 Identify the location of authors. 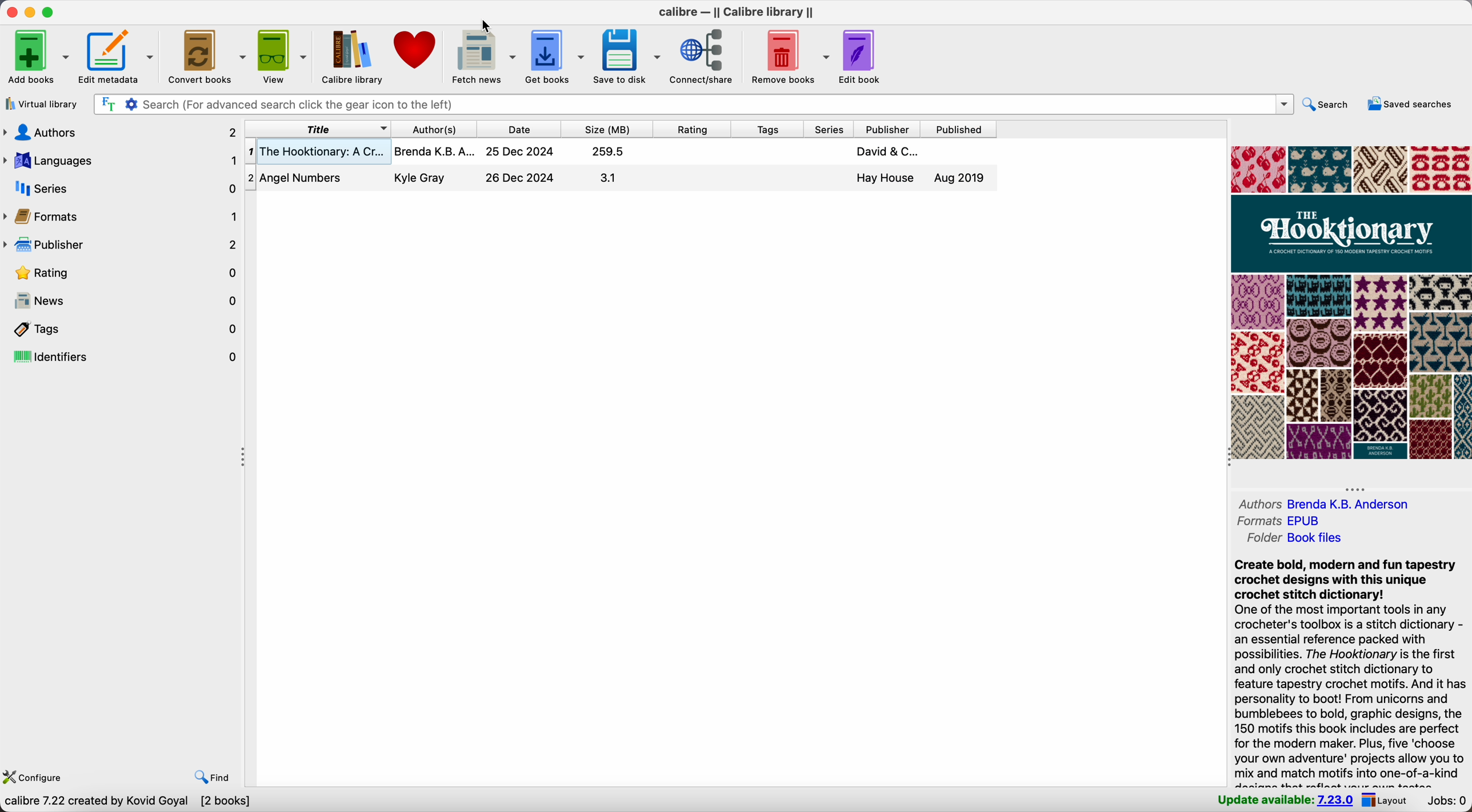
(119, 132).